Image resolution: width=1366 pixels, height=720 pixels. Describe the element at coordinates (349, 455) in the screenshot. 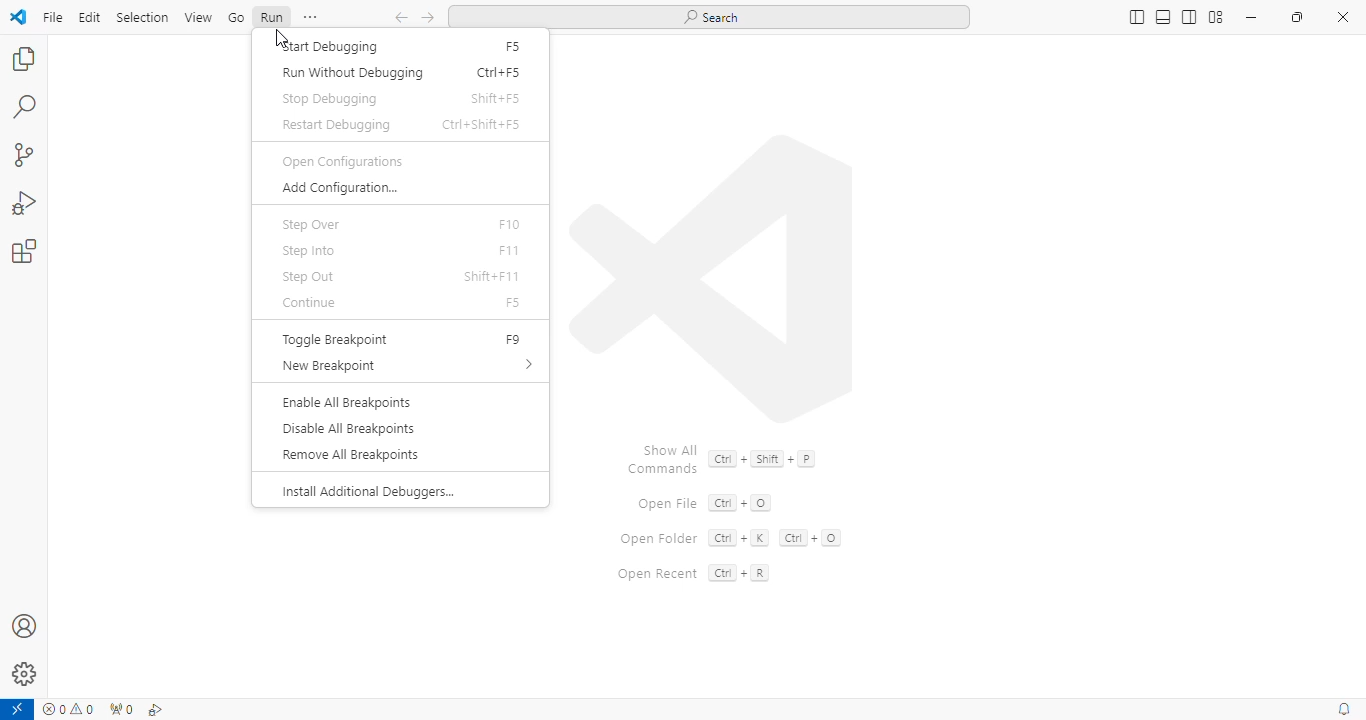

I see `remove all breakpoints` at that location.